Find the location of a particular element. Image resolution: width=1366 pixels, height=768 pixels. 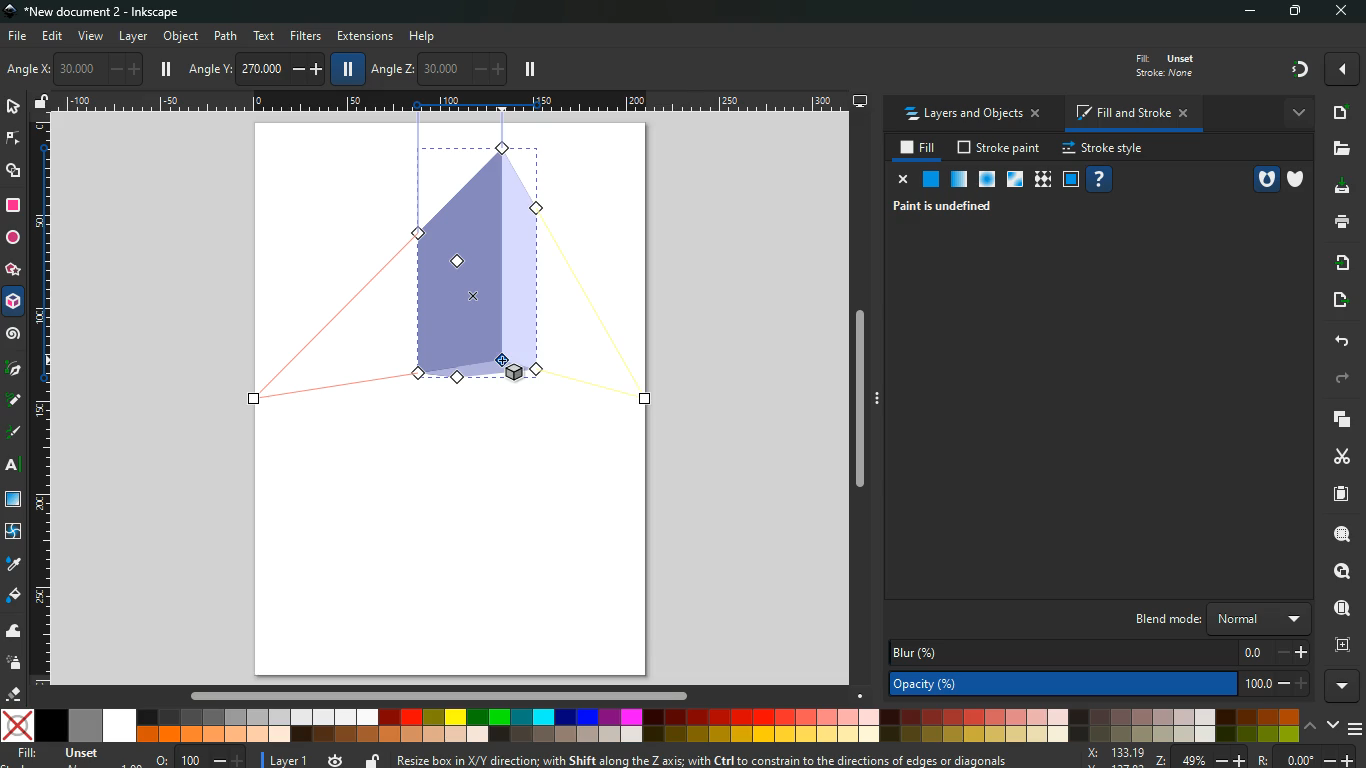

message is located at coordinates (729, 759).